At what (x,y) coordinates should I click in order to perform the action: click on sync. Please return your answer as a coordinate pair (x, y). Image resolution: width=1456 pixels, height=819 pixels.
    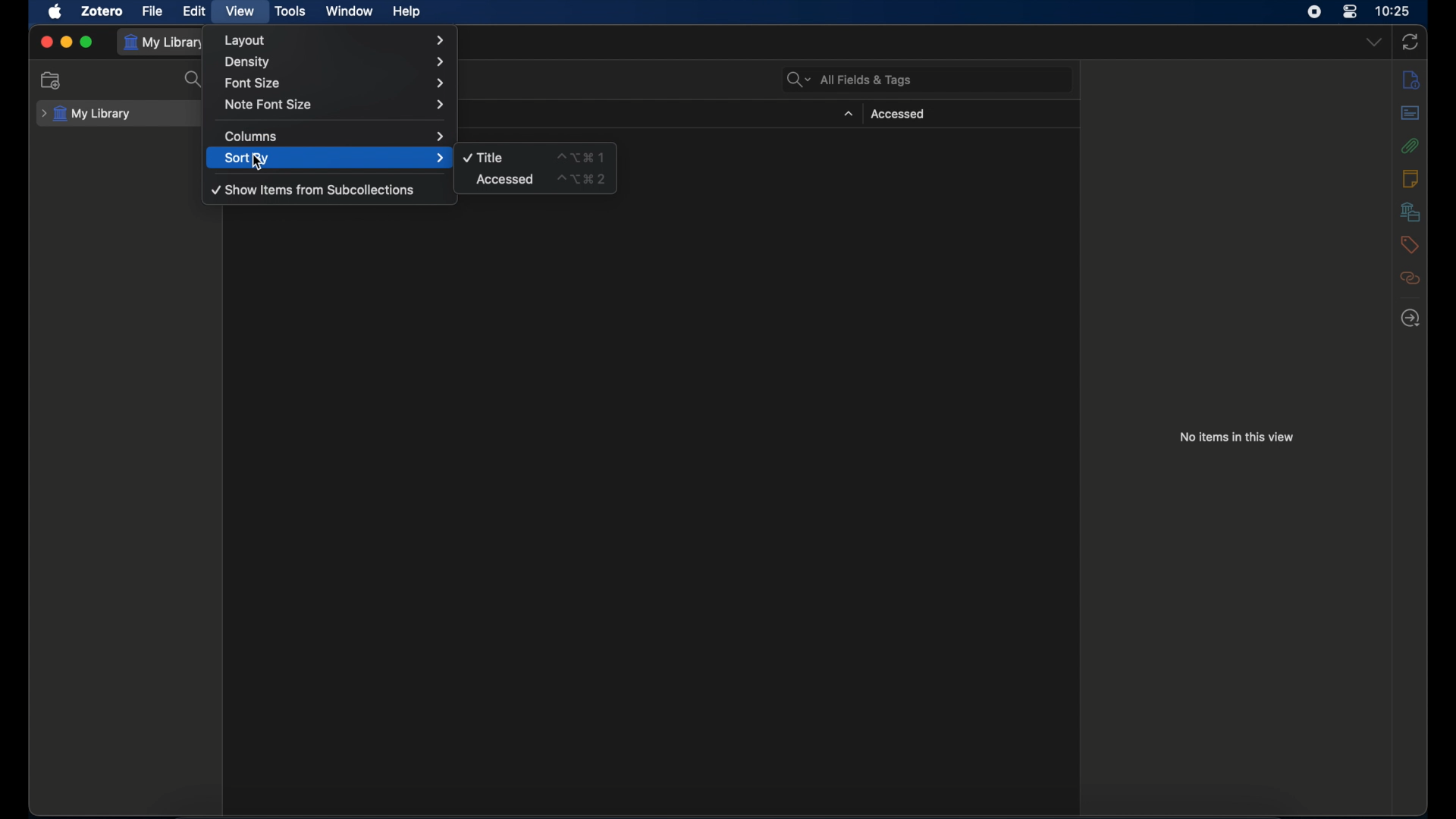
    Looking at the image, I should click on (1409, 42).